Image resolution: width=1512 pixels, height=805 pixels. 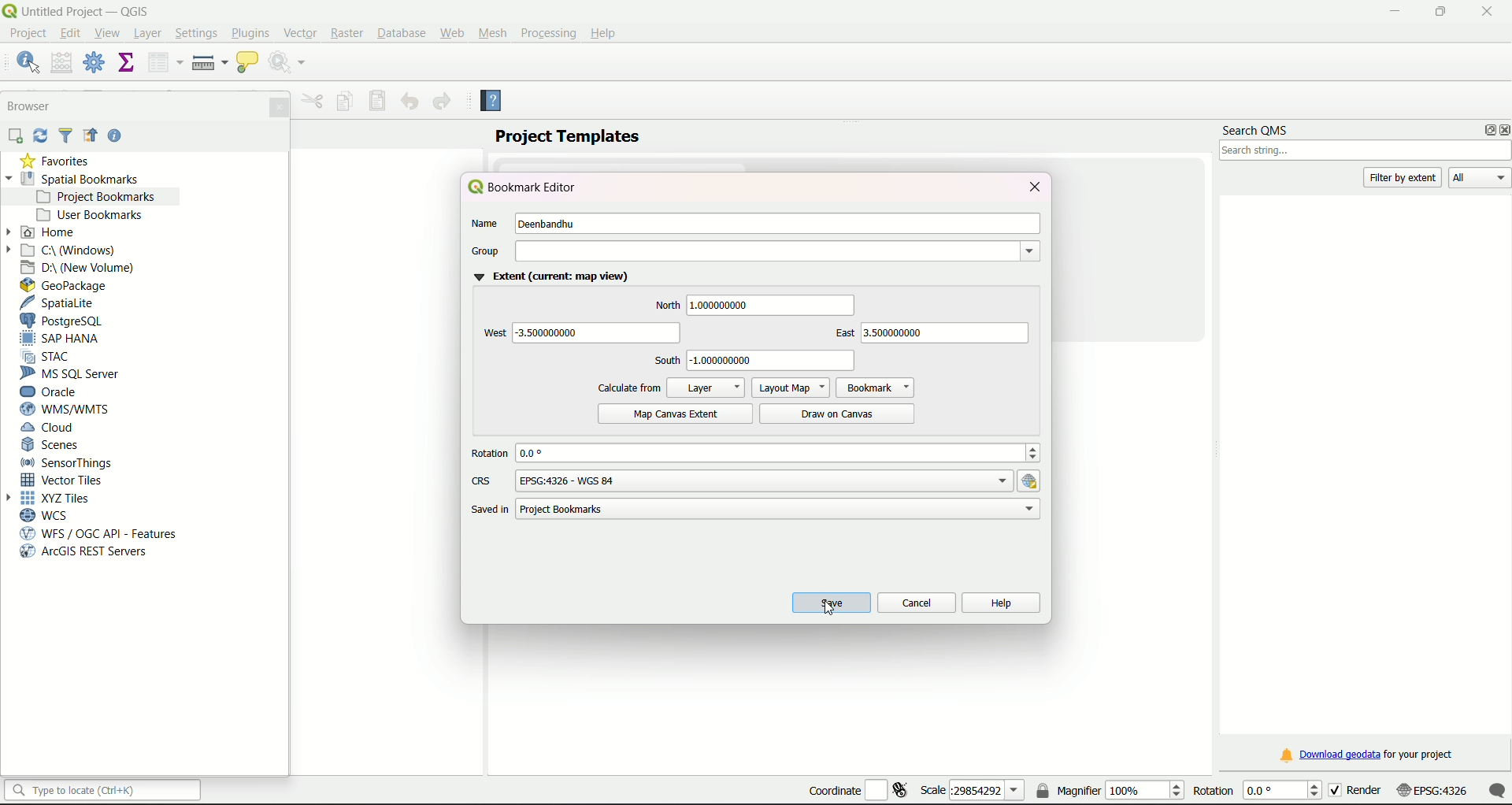 I want to click on Oracle, so click(x=57, y=391).